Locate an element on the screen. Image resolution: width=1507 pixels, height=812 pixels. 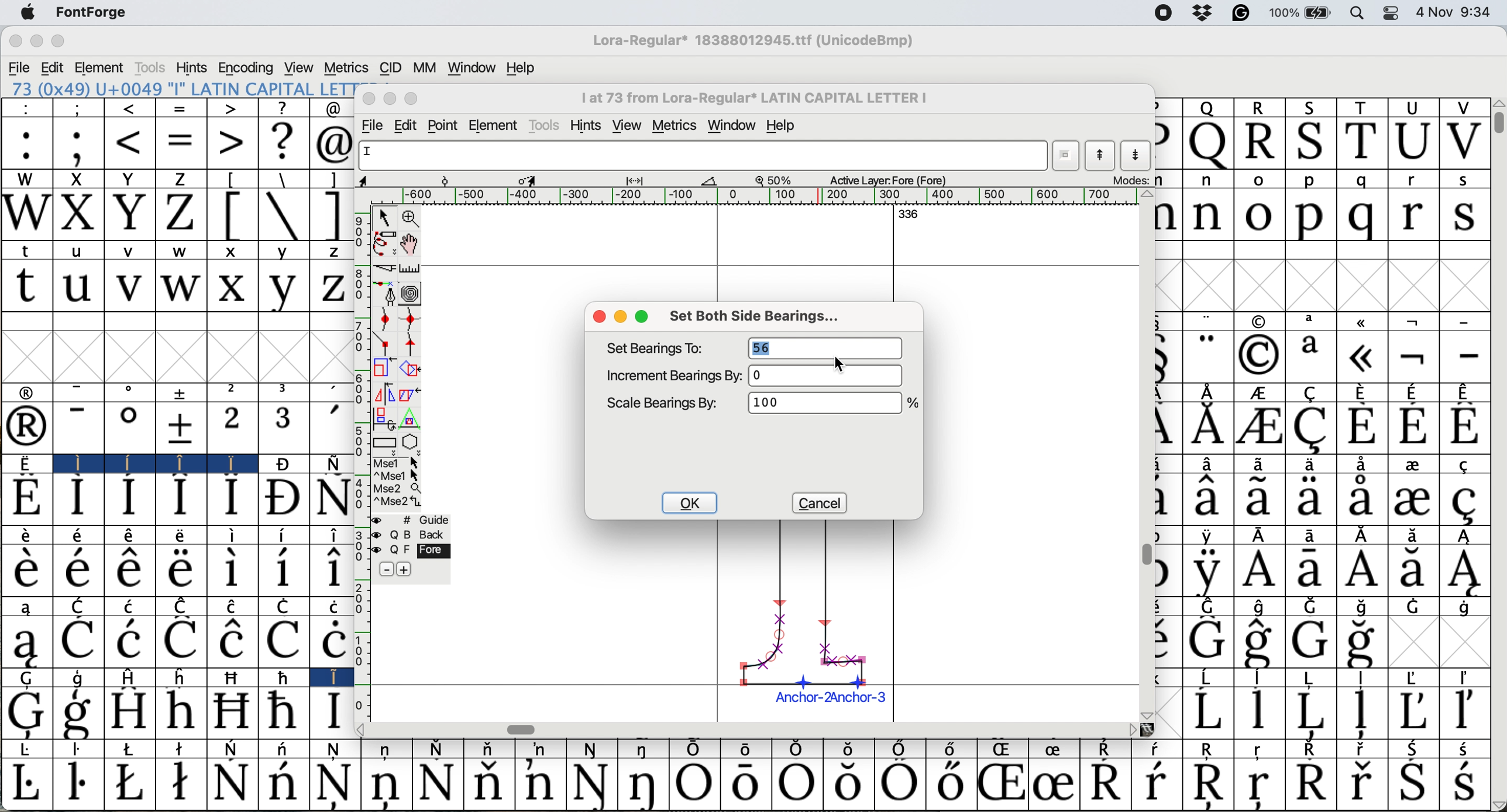
perform a perspective transformation on the selection is located at coordinates (412, 418).